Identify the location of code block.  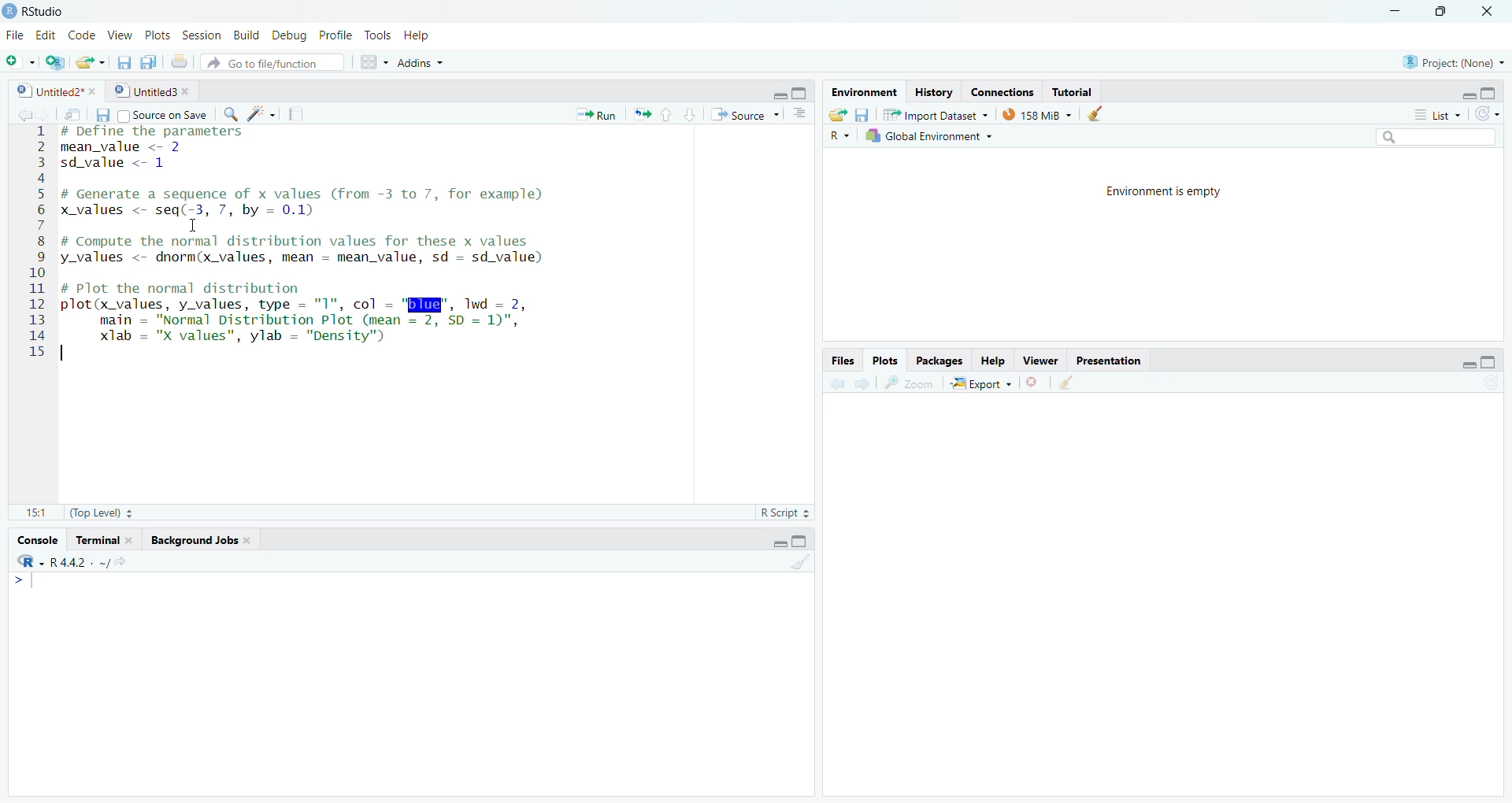
(254, 113).